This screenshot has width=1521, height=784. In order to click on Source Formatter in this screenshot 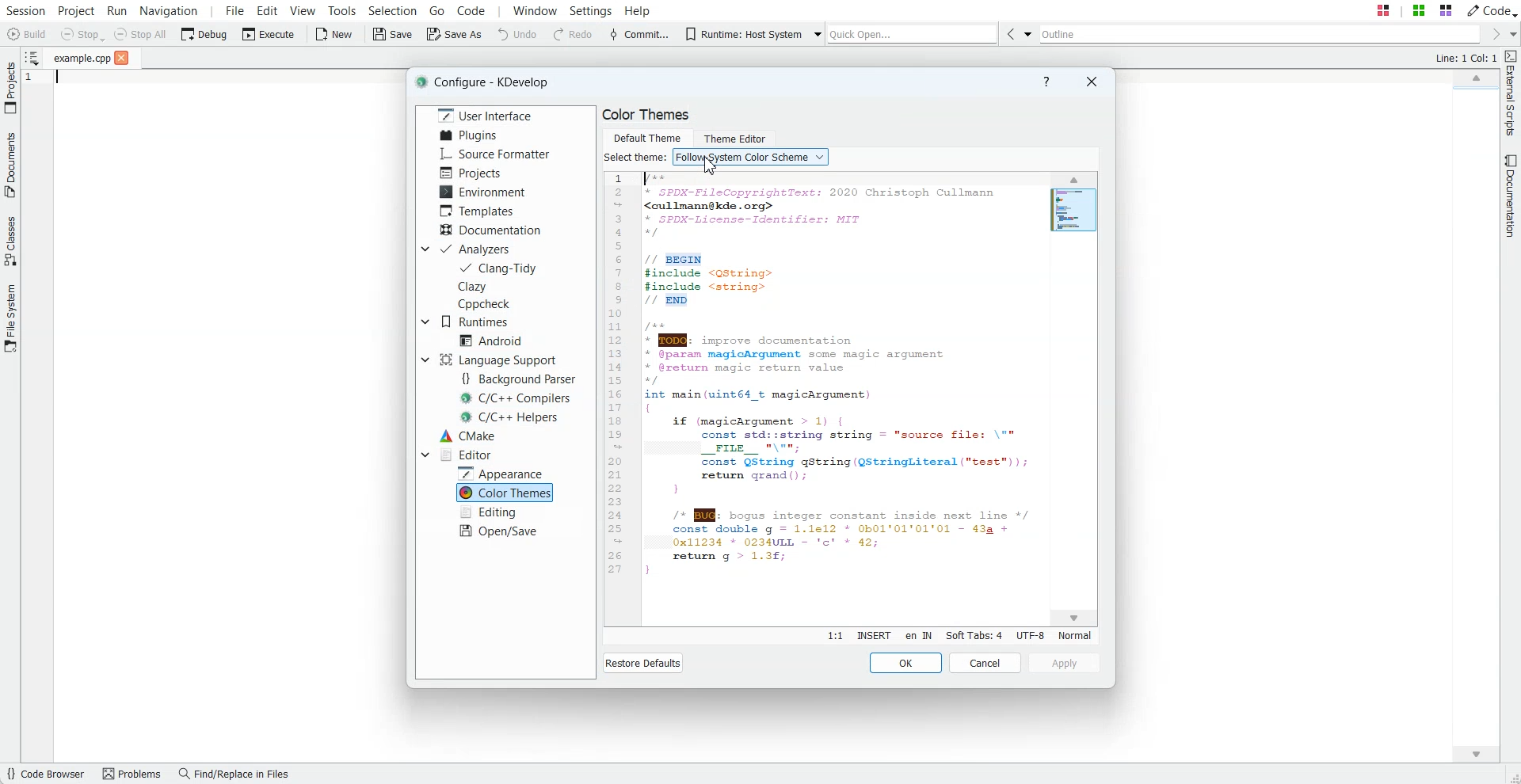, I will do `click(496, 154)`.